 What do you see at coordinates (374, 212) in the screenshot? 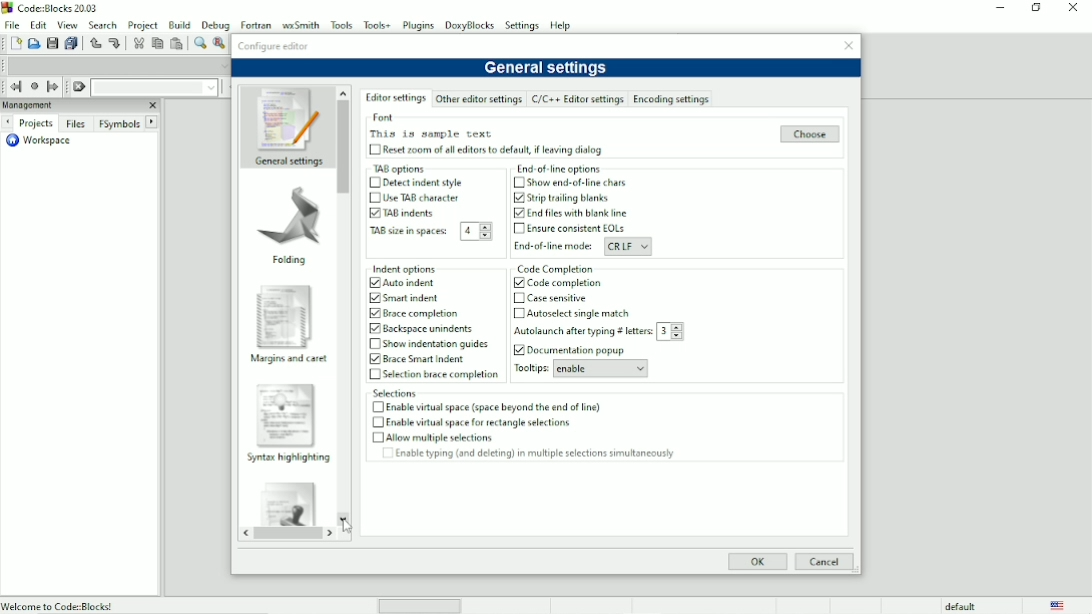
I see `` at bounding box center [374, 212].